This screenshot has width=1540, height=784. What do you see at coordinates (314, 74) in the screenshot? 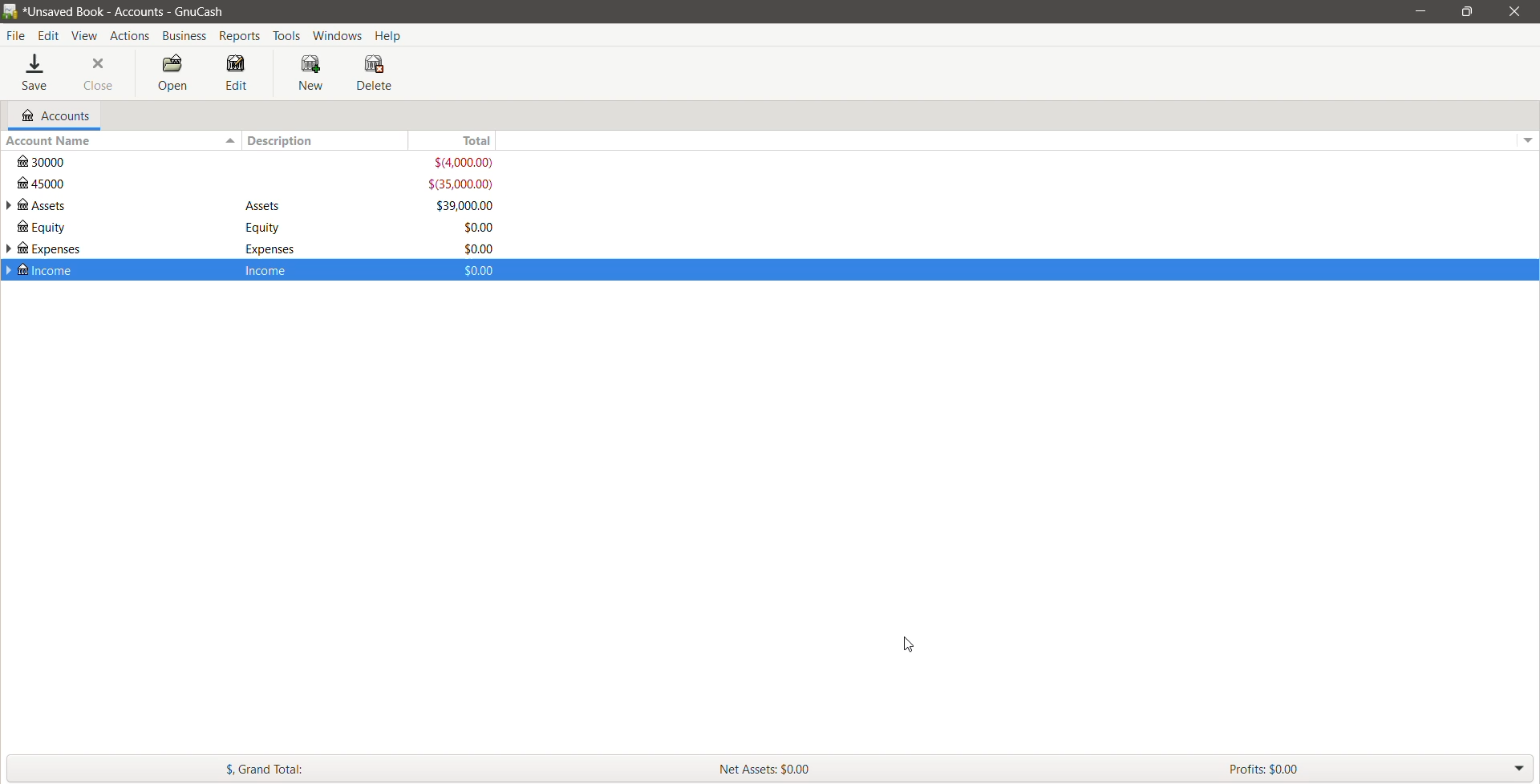
I see `New` at bounding box center [314, 74].